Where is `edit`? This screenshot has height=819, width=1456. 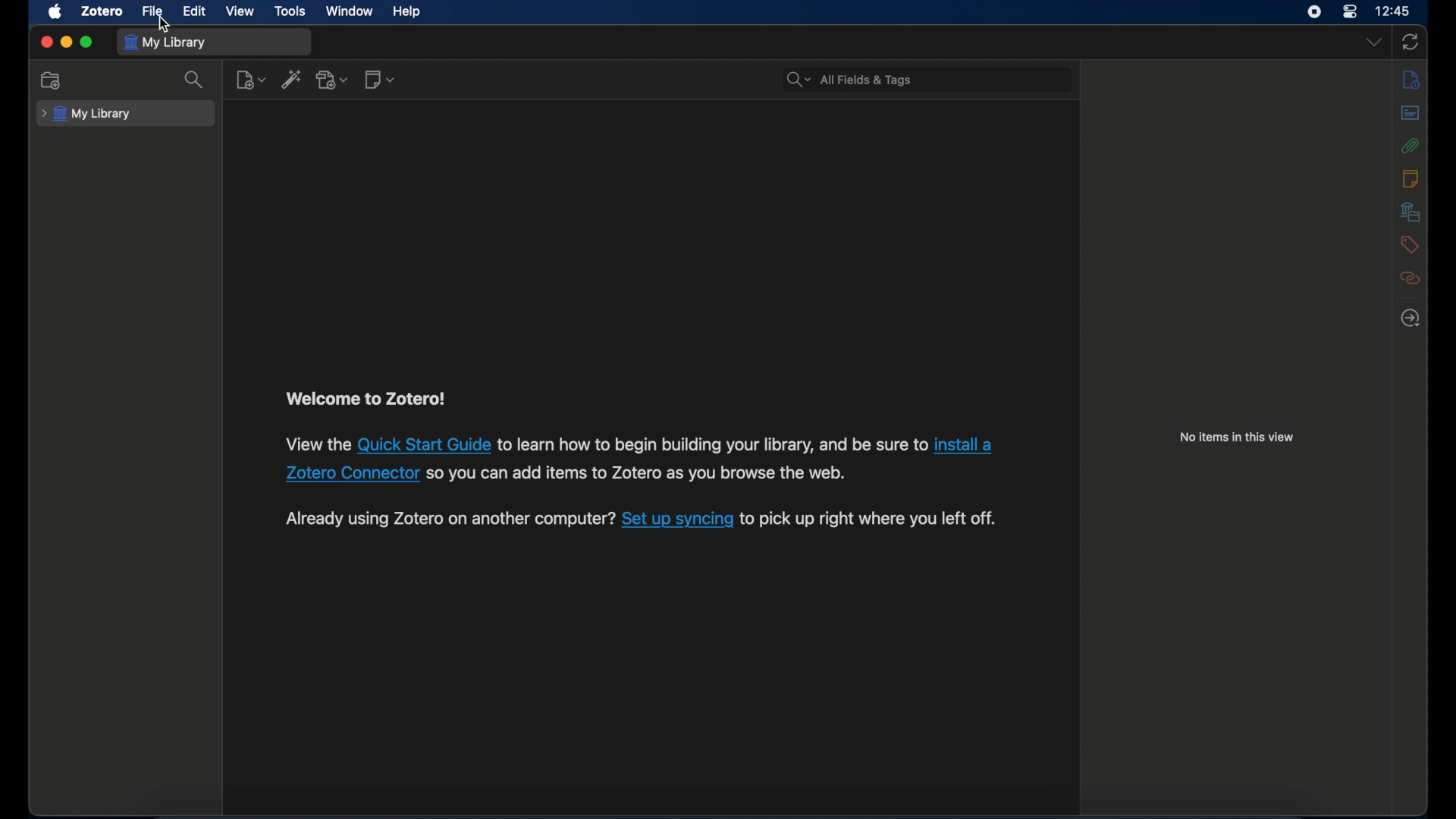
edit is located at coordinates (196, 11).